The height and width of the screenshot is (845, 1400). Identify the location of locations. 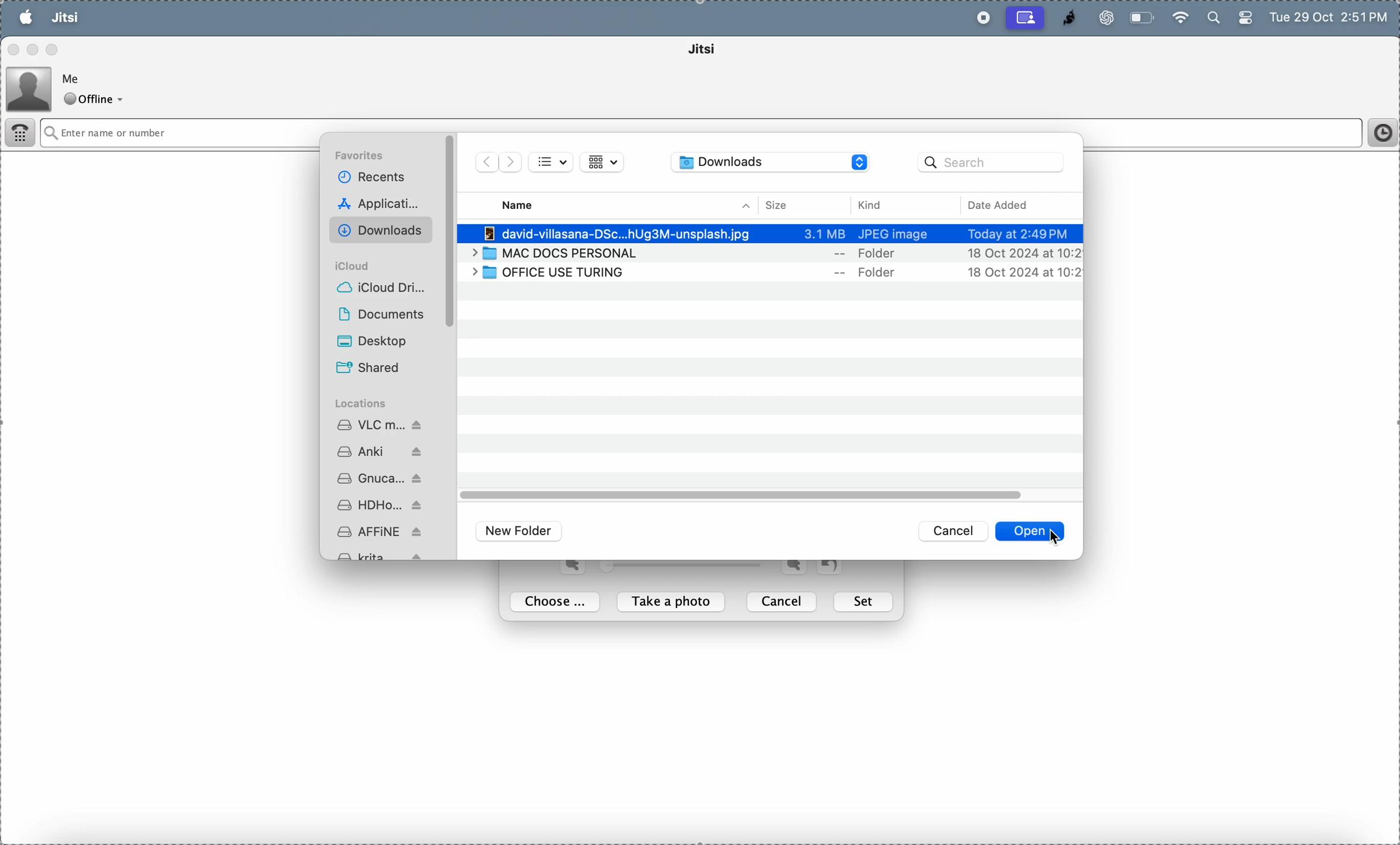
(365, 403).